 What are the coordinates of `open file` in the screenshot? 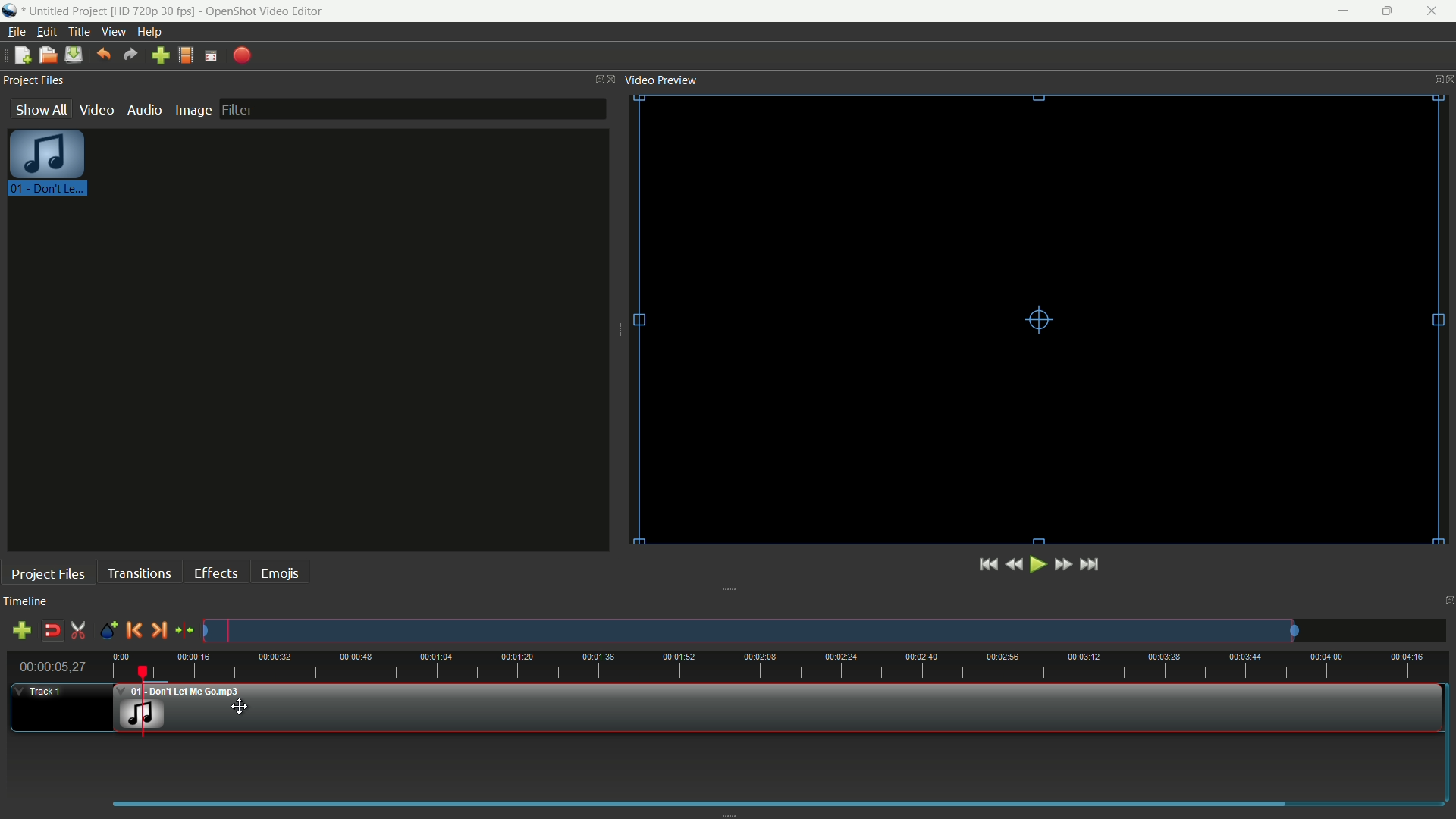 It's located at (48, 55).